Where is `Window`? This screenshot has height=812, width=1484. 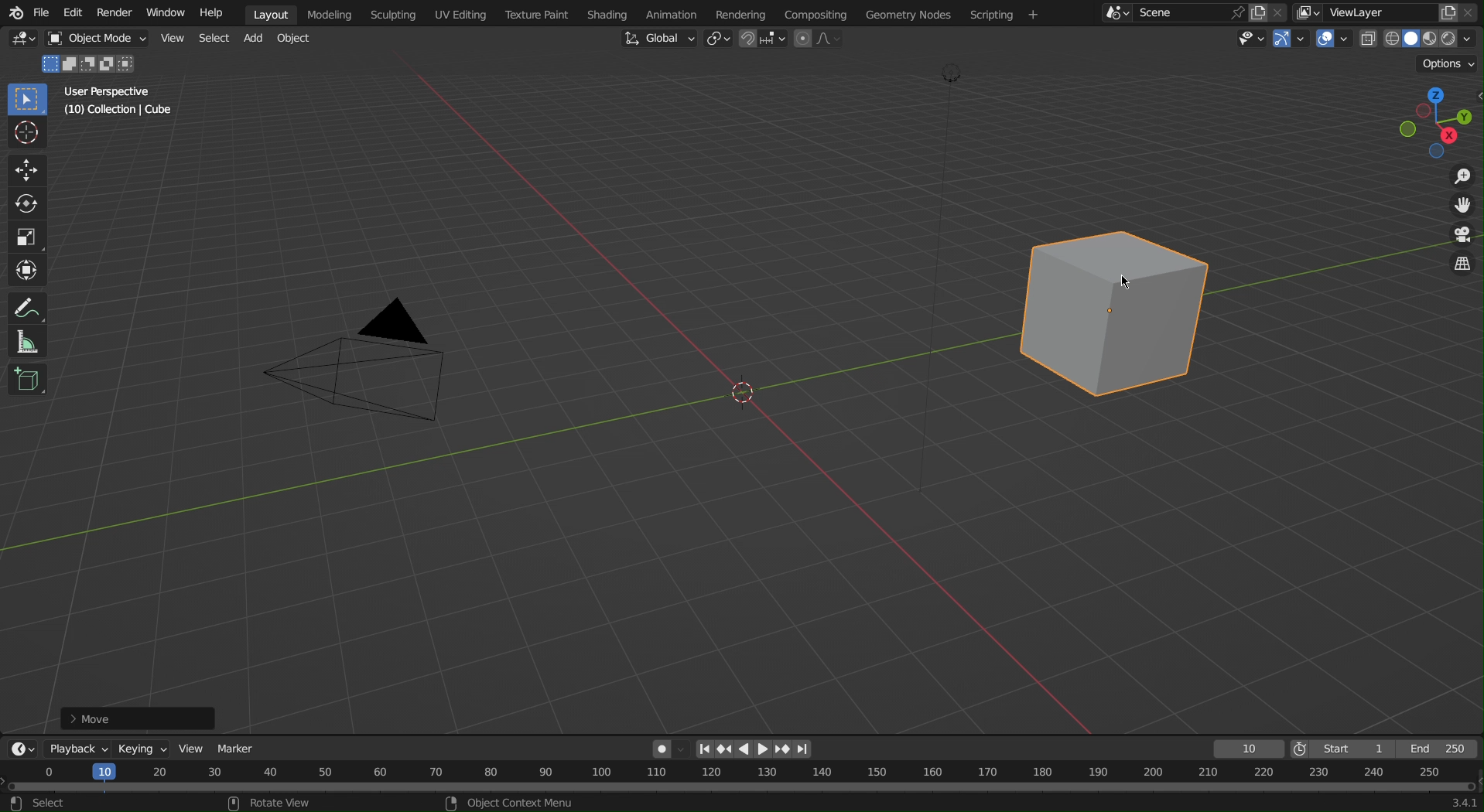 Window is located at coordinates (169, 12).